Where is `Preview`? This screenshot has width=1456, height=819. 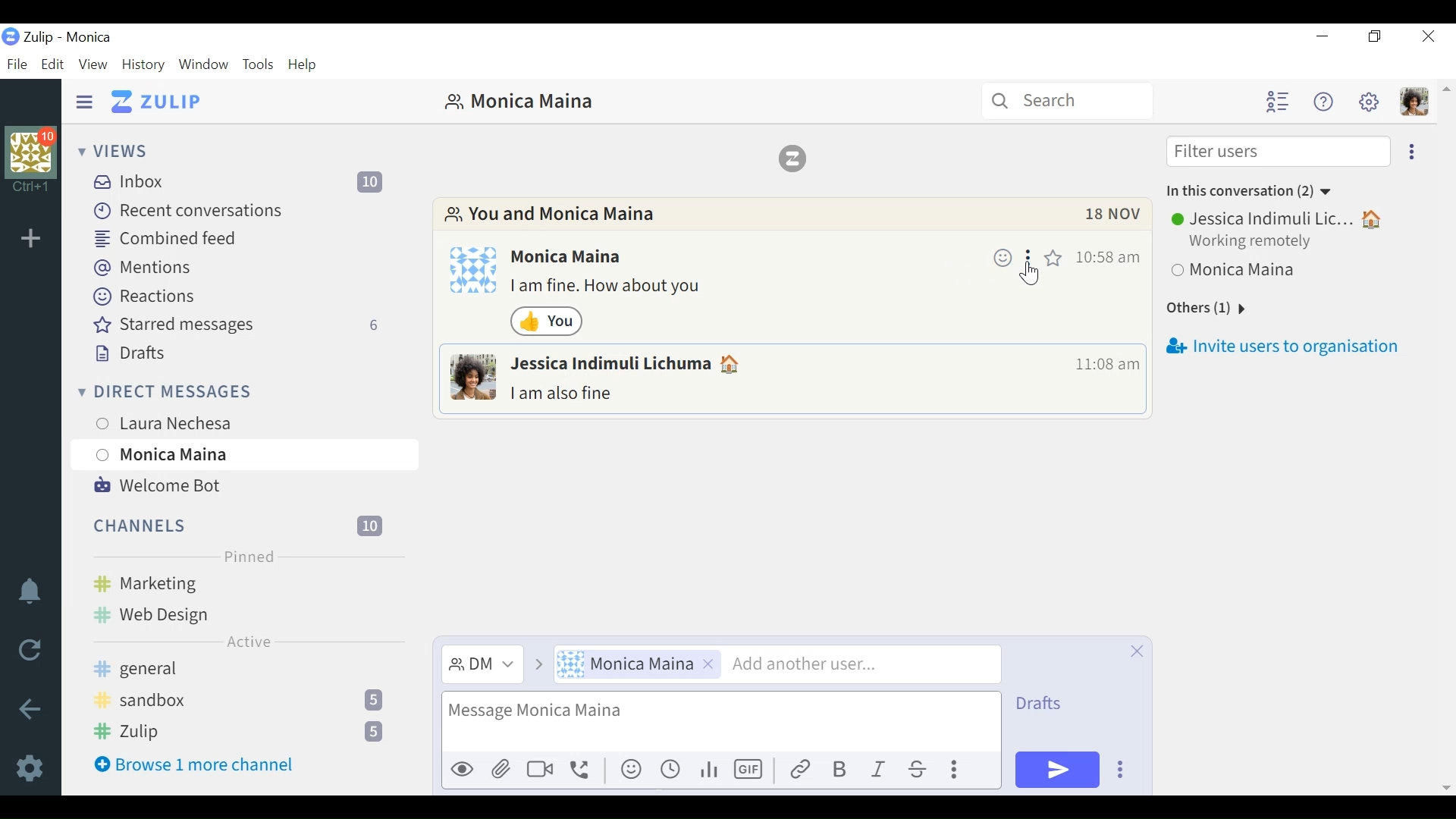 Preview is located at coordinates (462, 770).